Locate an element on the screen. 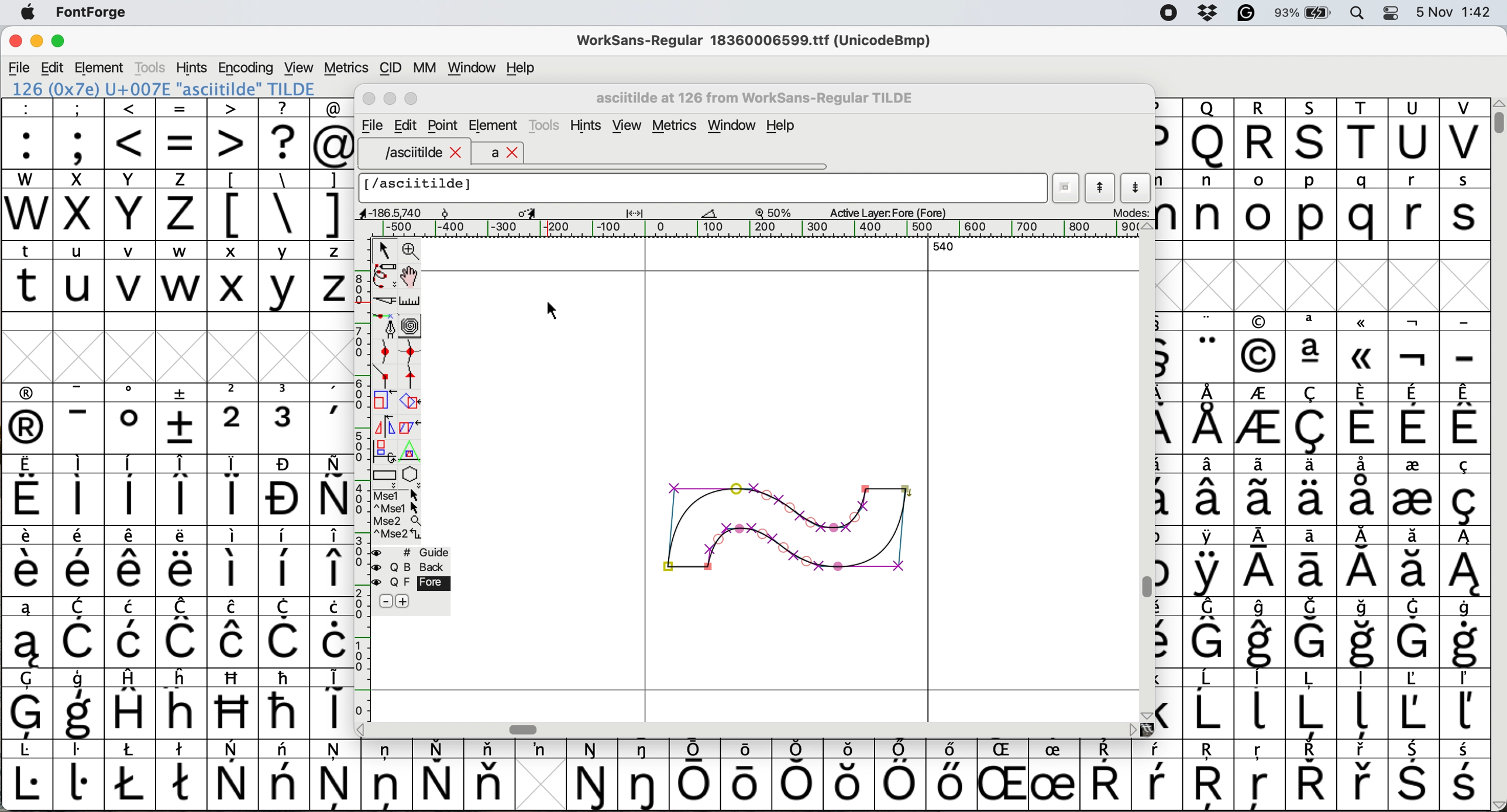 The height and width of the screenshot is (812, 1507). W is located at coordinates (29, 205).